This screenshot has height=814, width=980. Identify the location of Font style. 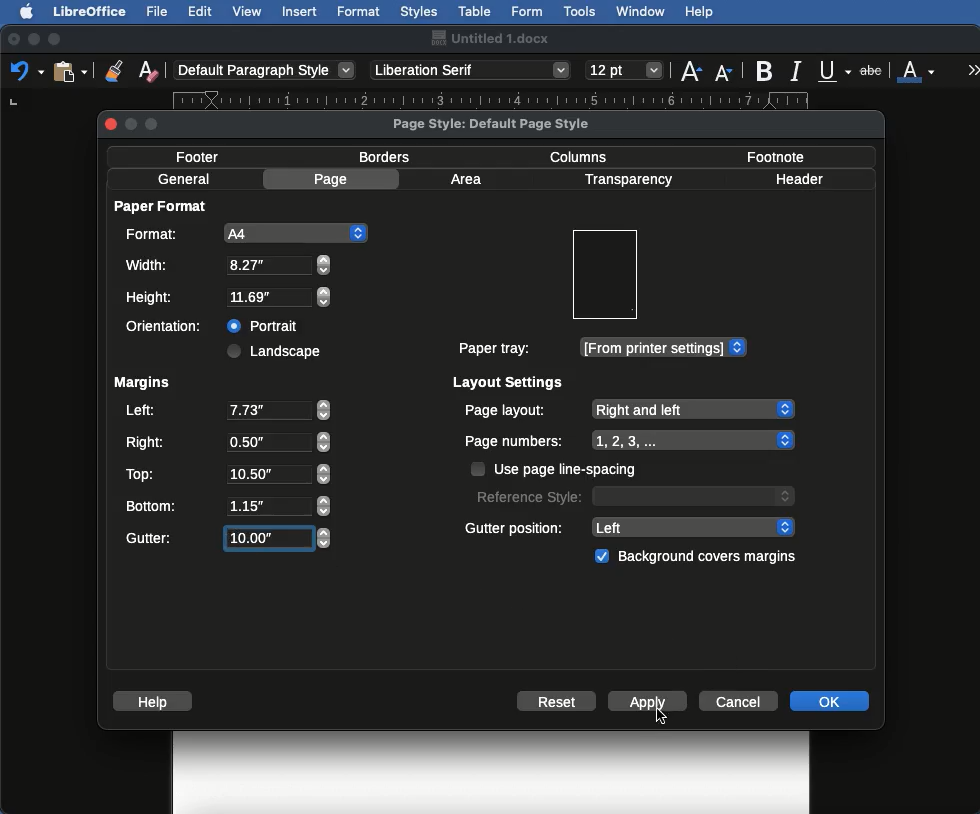
(472, 70).